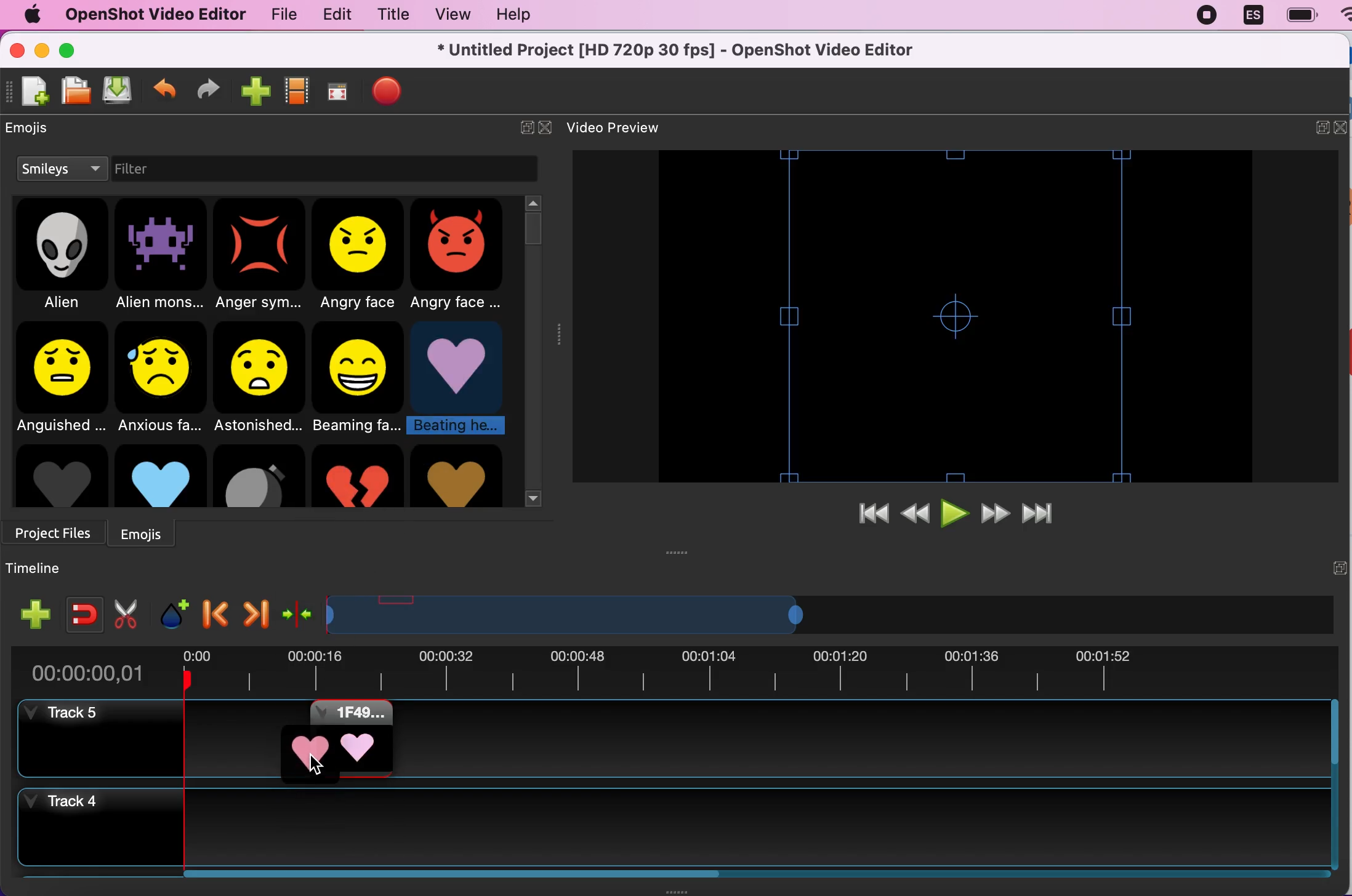 This screenshot has height=896, width=1352. What do you see at coordinates (38, 132) in the screenshot?
I see `emojis` at bounding box center [38, 132].